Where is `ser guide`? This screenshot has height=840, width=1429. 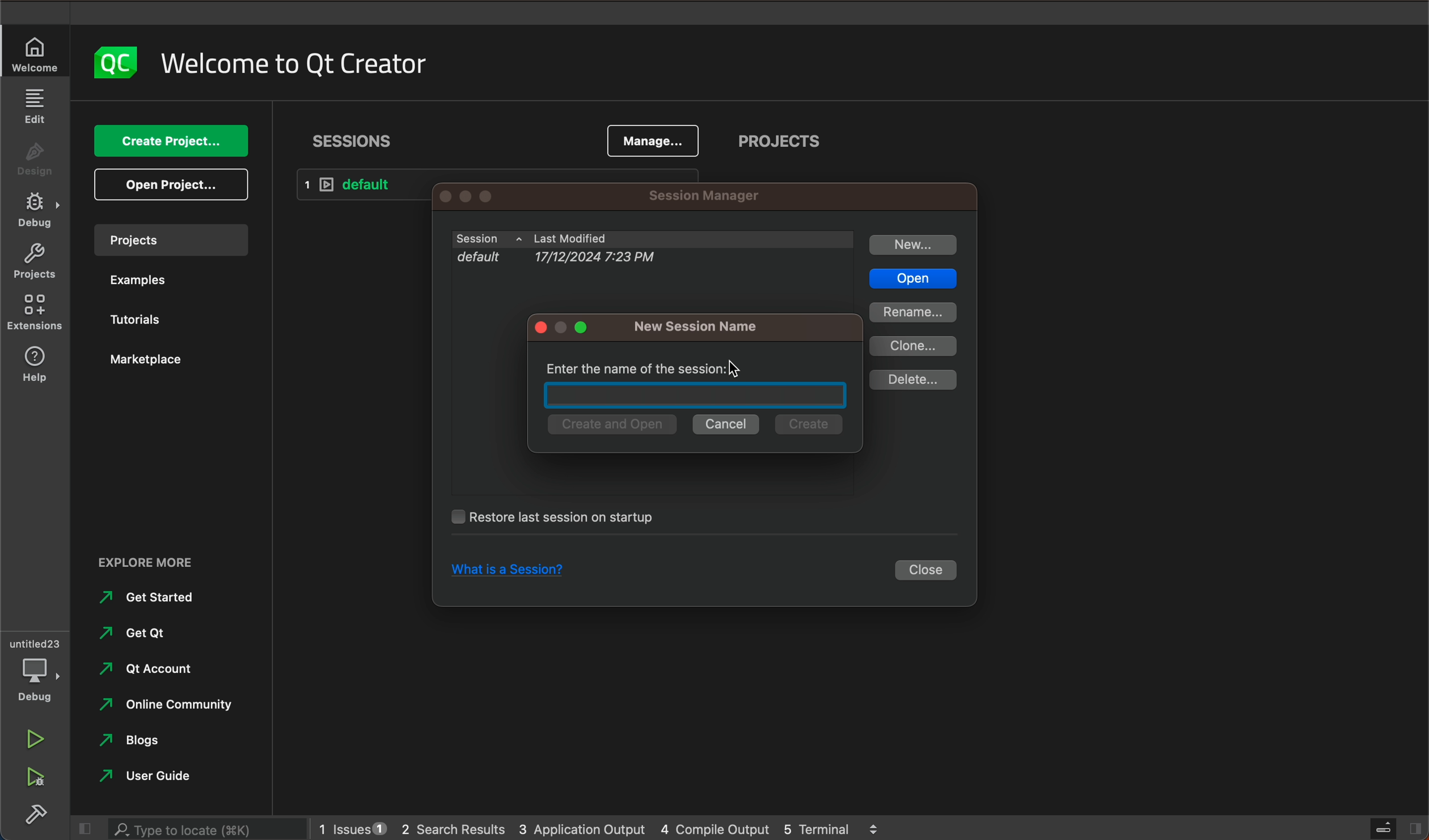 ser guide is located at coordinates (150, 775).